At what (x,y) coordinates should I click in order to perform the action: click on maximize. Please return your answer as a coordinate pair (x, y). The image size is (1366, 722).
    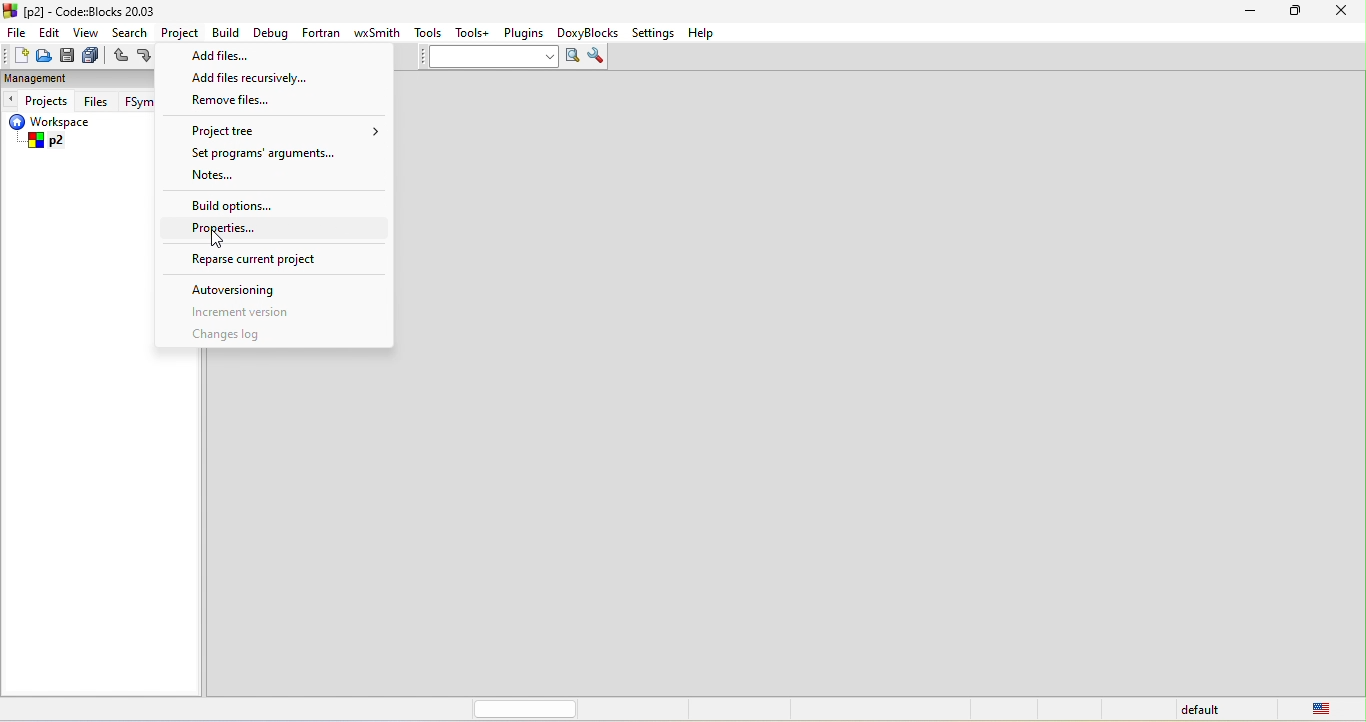
    Looking at the image, I should click on (1296, 15).